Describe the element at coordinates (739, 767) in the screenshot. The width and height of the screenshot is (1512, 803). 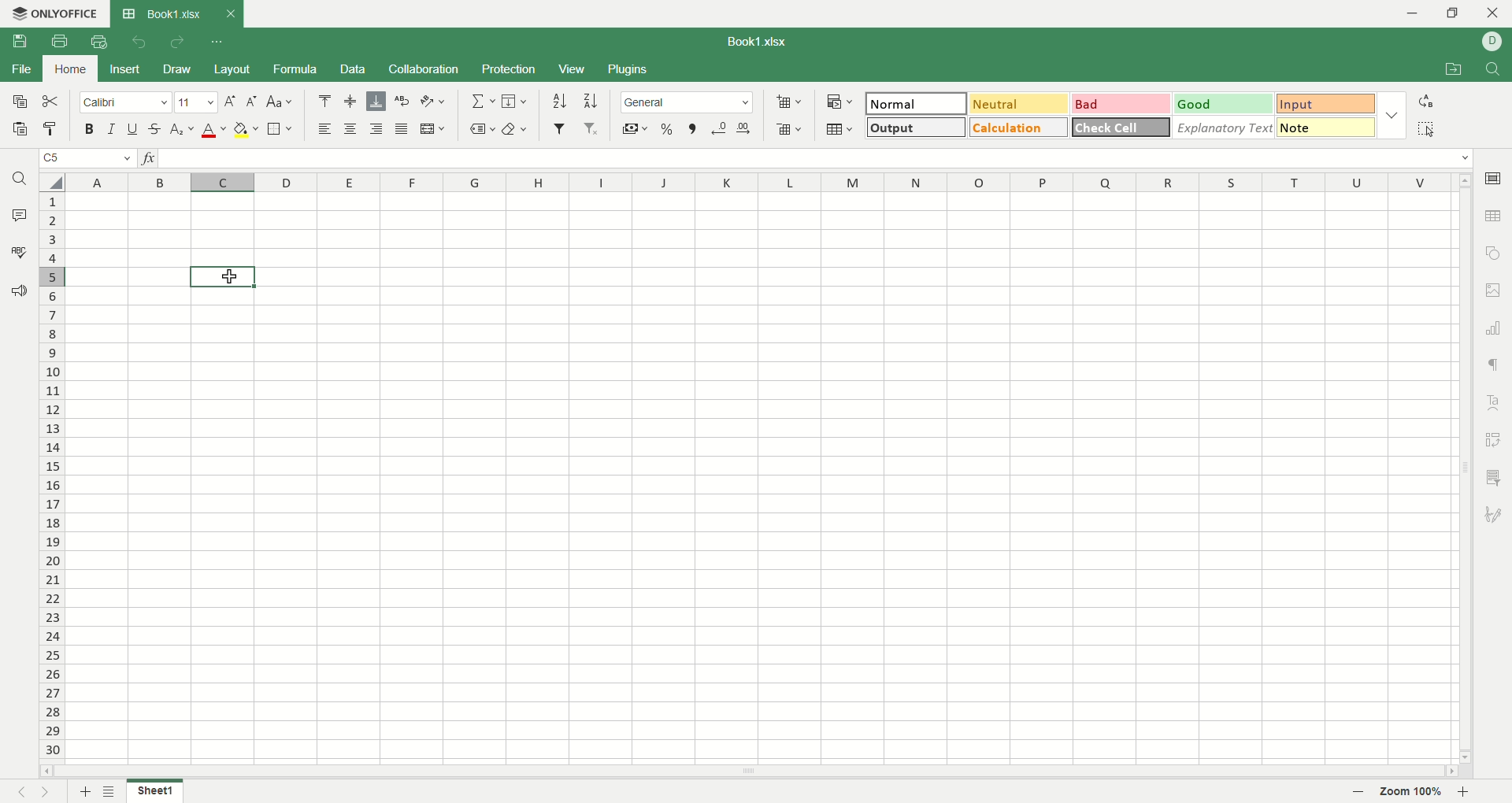
I see `horizontal scroll bar` at that location.